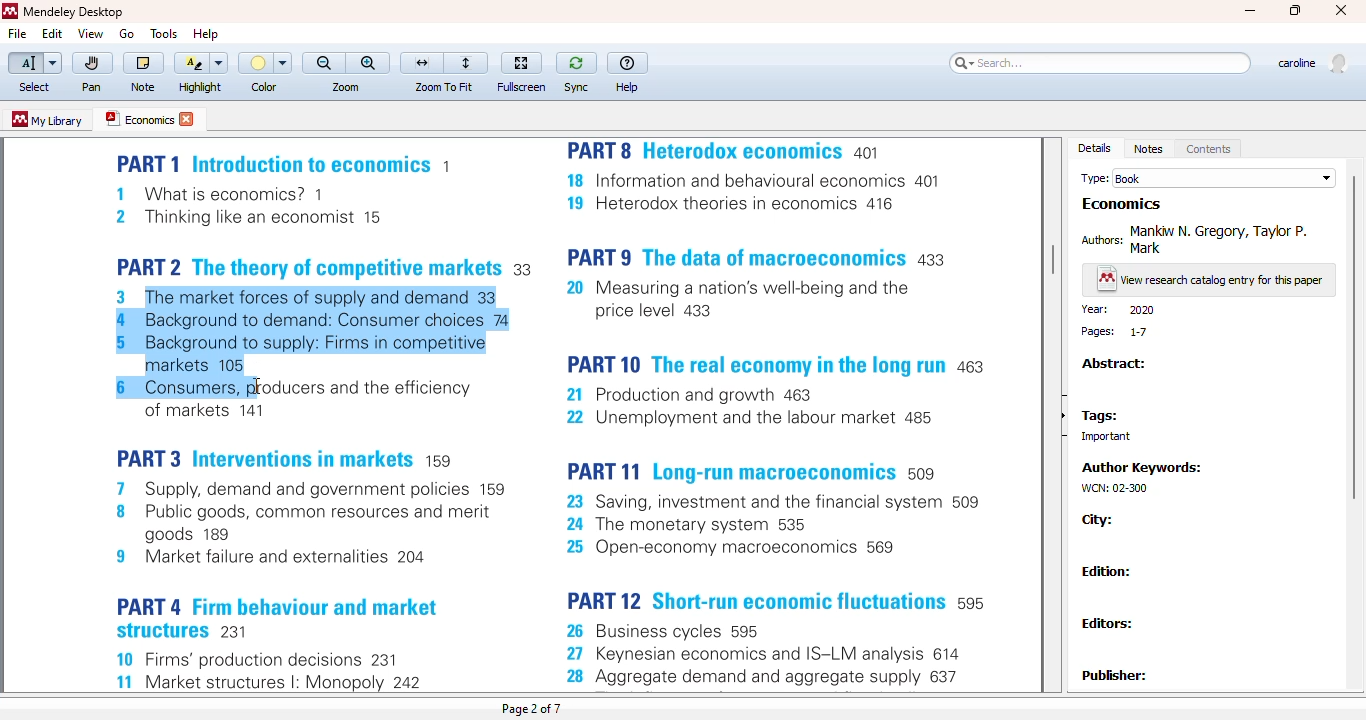 The height and width of the screenshot is (720, 1366). I want to click on fullscreen, so click(521, 63).